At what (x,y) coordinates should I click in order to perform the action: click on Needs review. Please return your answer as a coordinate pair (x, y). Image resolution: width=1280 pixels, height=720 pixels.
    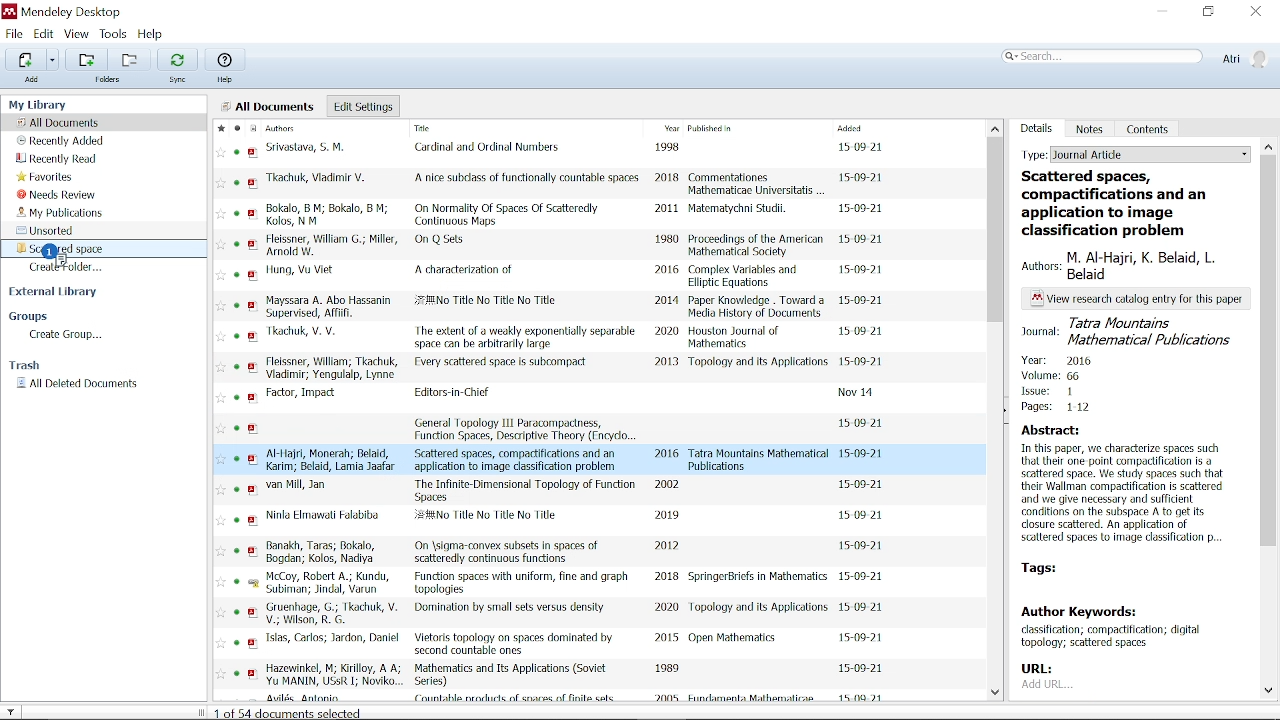
    Looking at the image, I should click on (57, 195).